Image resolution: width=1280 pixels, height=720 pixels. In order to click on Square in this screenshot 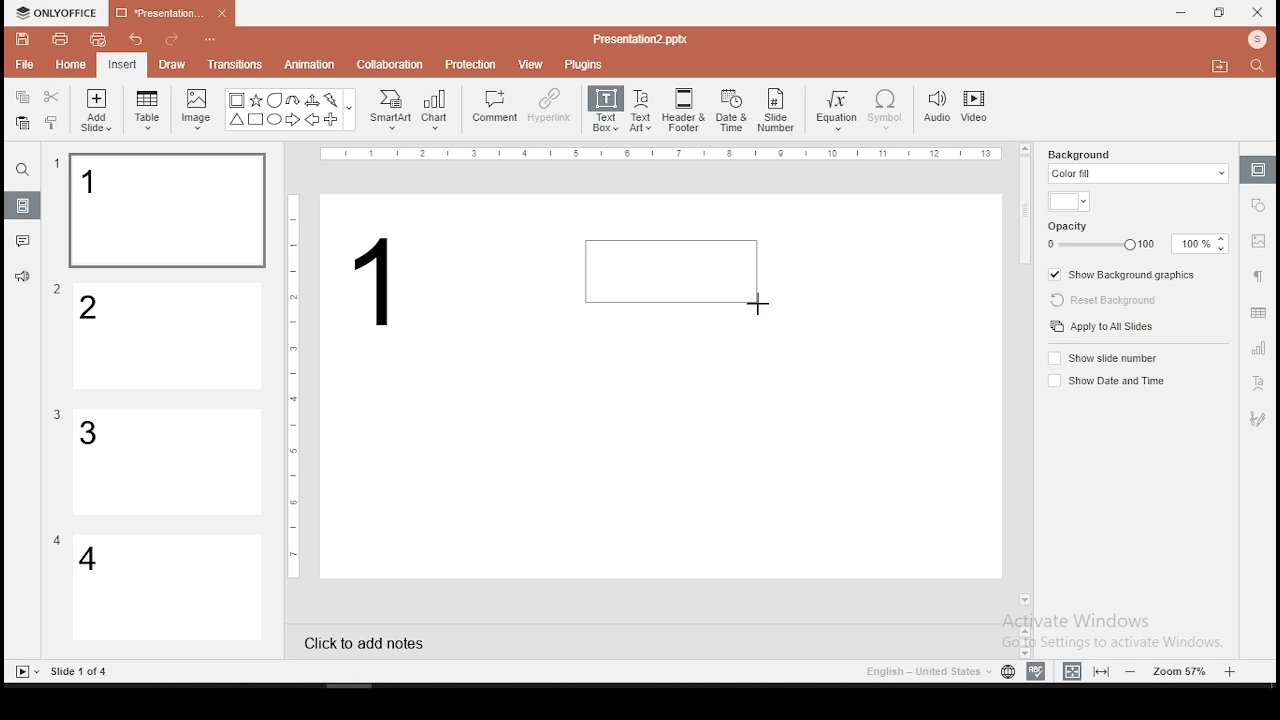, I will do `click(255, 121)`.